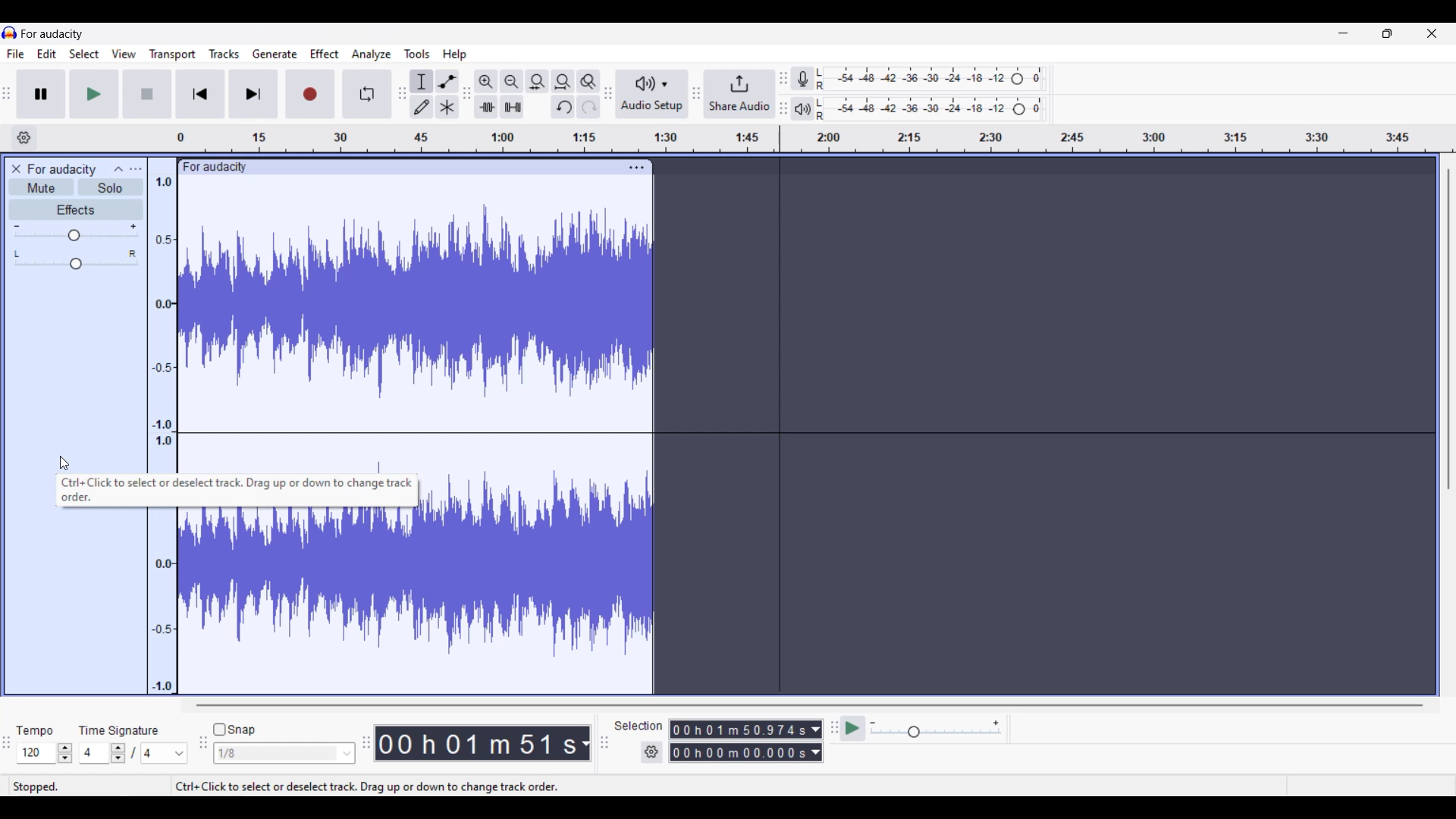 This screenshot has width=1456, height=819. Describe the element at coordinates (1432, 33) in the screenshot. I see `Close interface` at that location.